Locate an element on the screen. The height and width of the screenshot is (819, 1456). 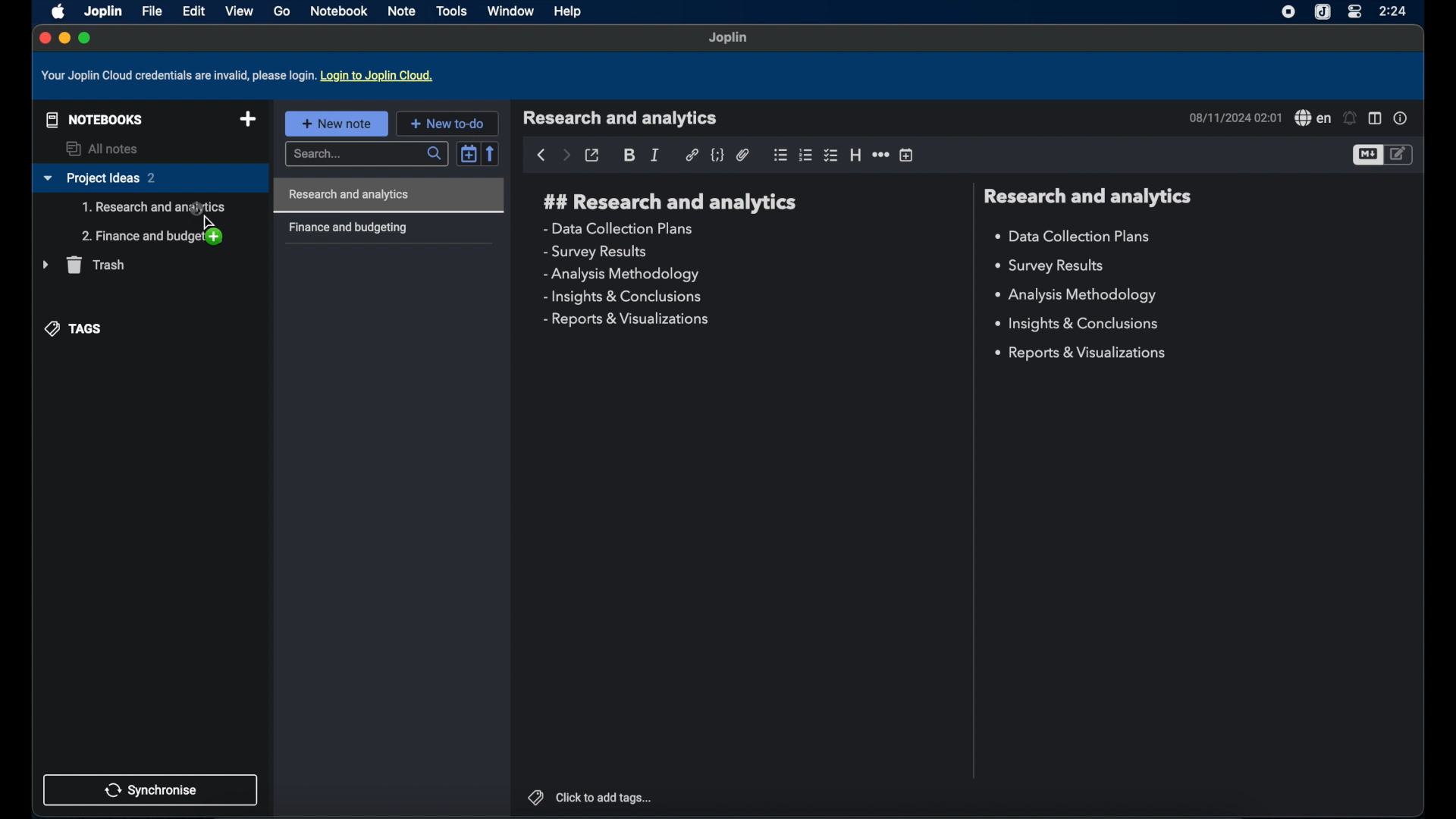
horizontal rule is located at coordinates (880, 155).